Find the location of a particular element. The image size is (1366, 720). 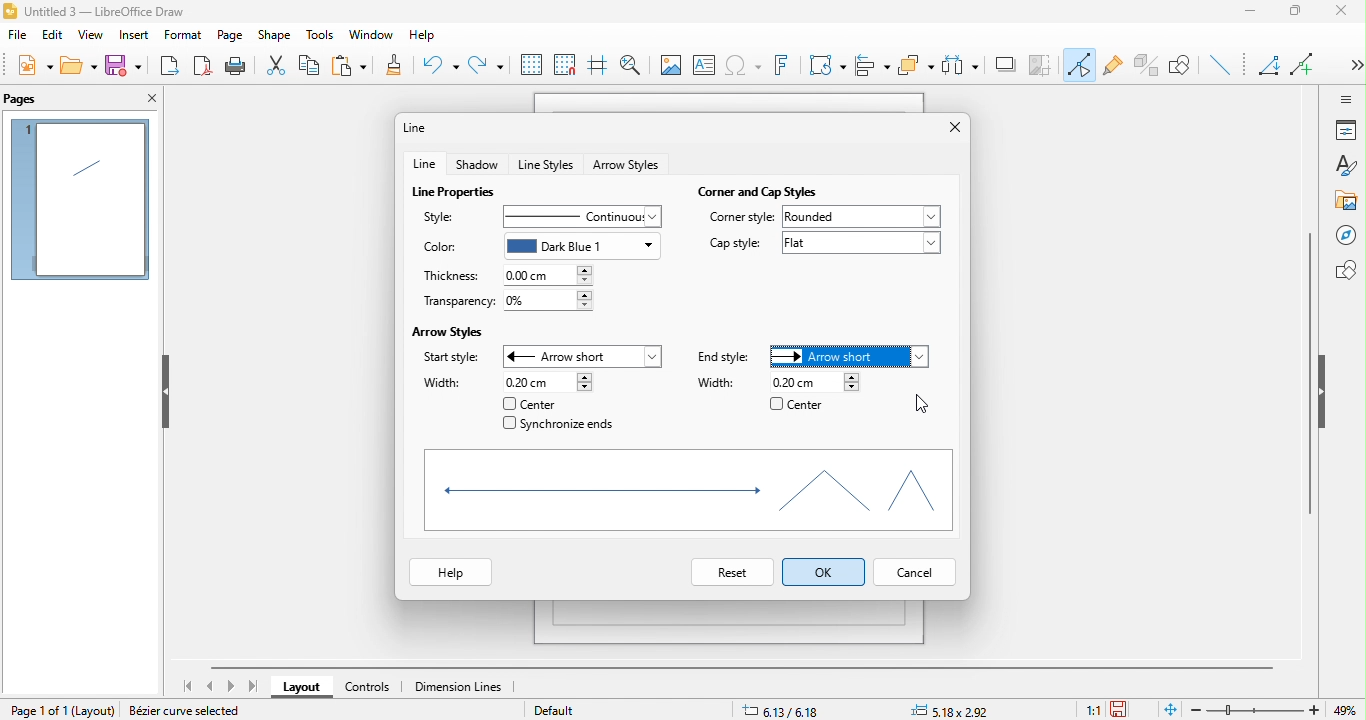

rounded is located at coordinates (864, 217).